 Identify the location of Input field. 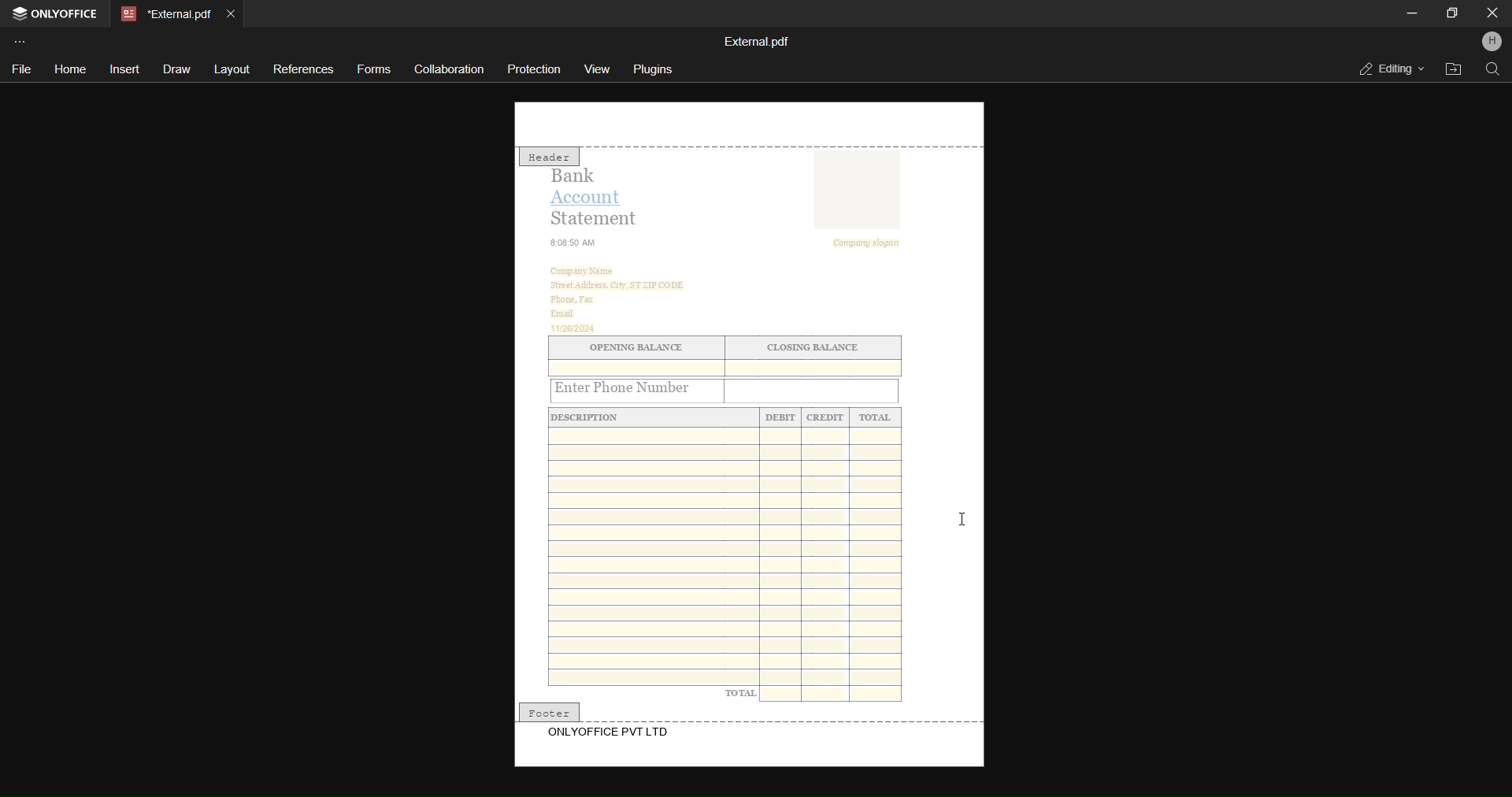
(813, 390).